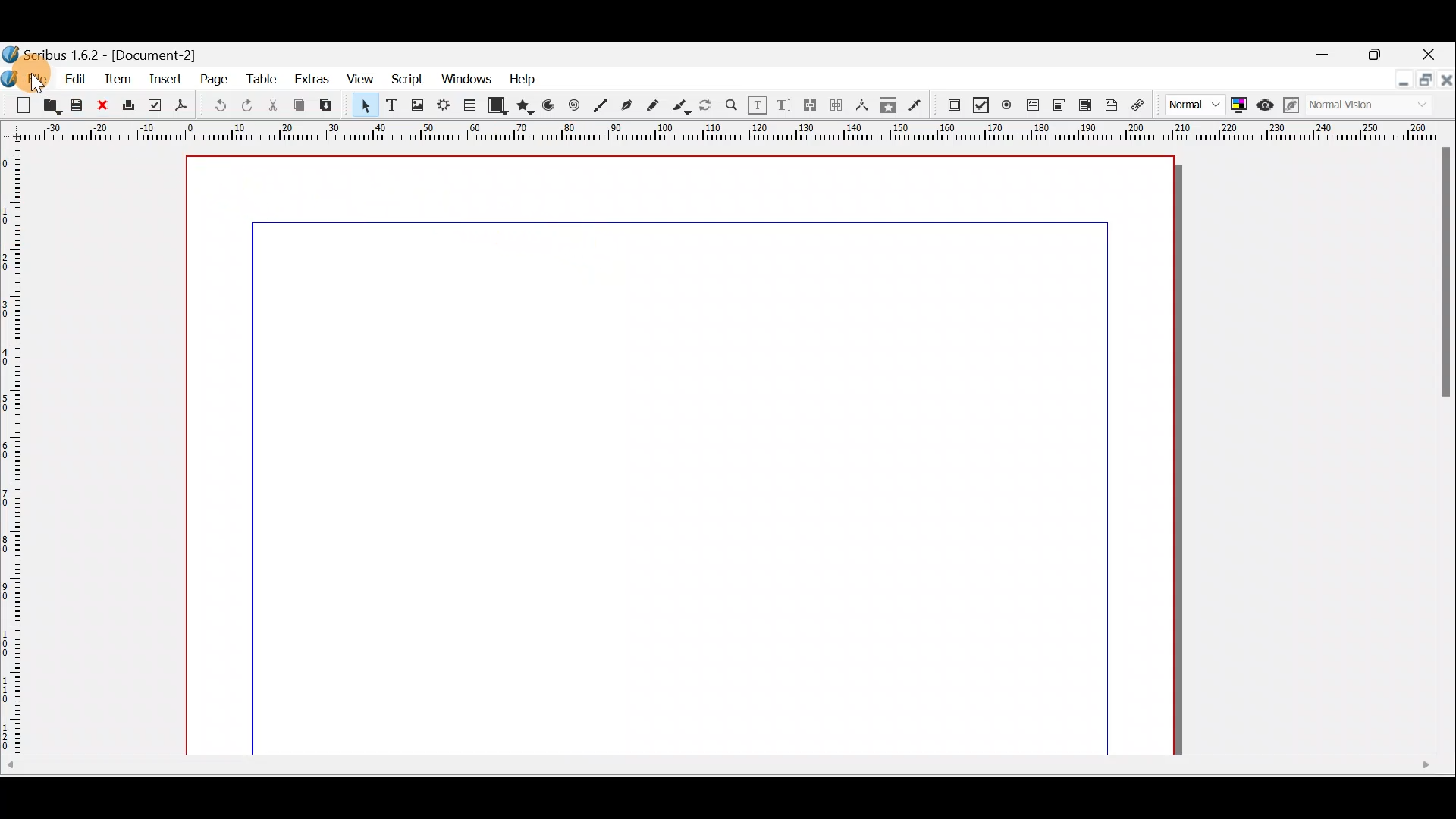 This screenshot has height=819, width=1456. I want to click on Item, so click(116, 80).